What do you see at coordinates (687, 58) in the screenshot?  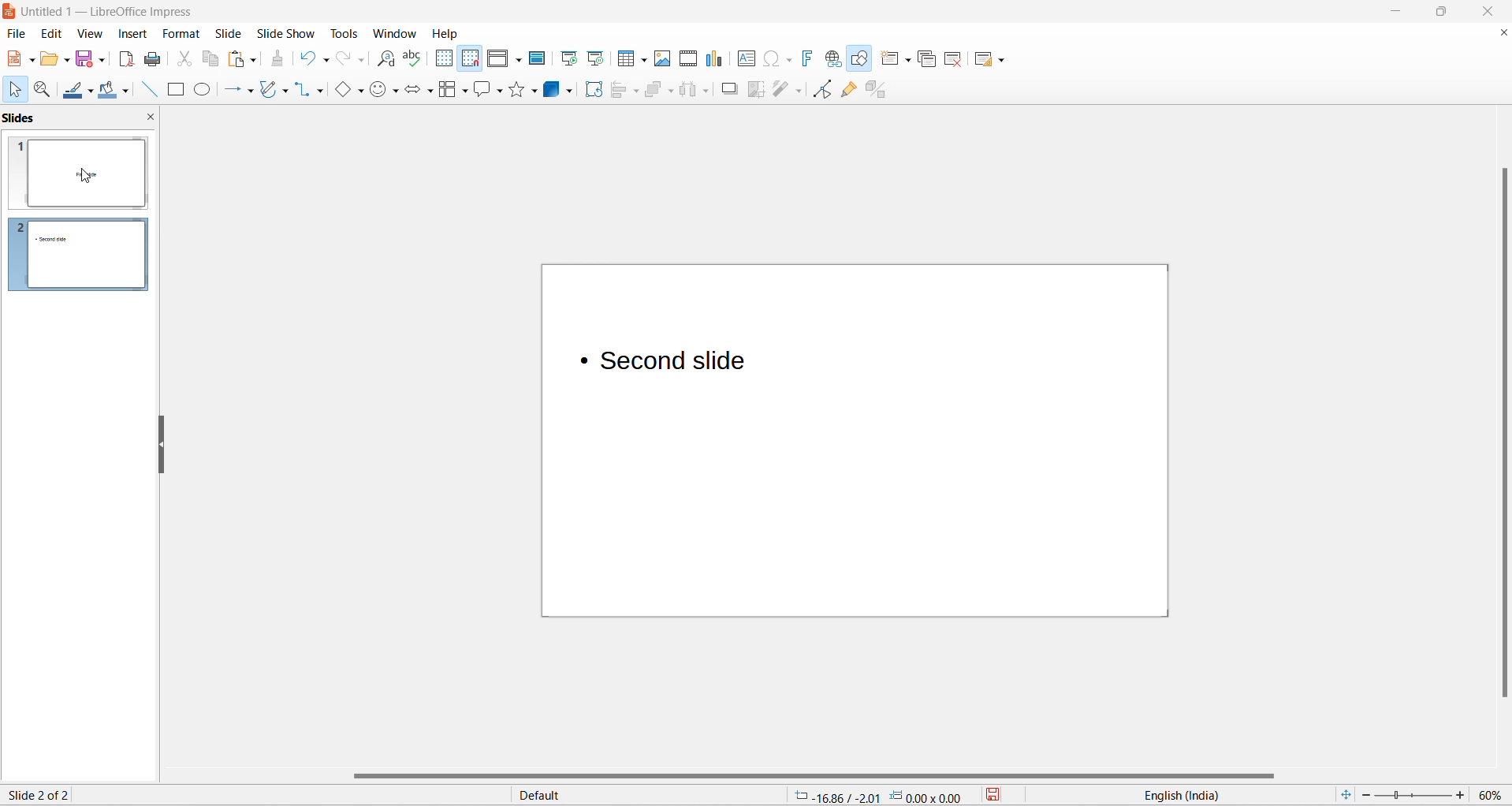 I see `insert audio and video` at bounding box center [687, 58].